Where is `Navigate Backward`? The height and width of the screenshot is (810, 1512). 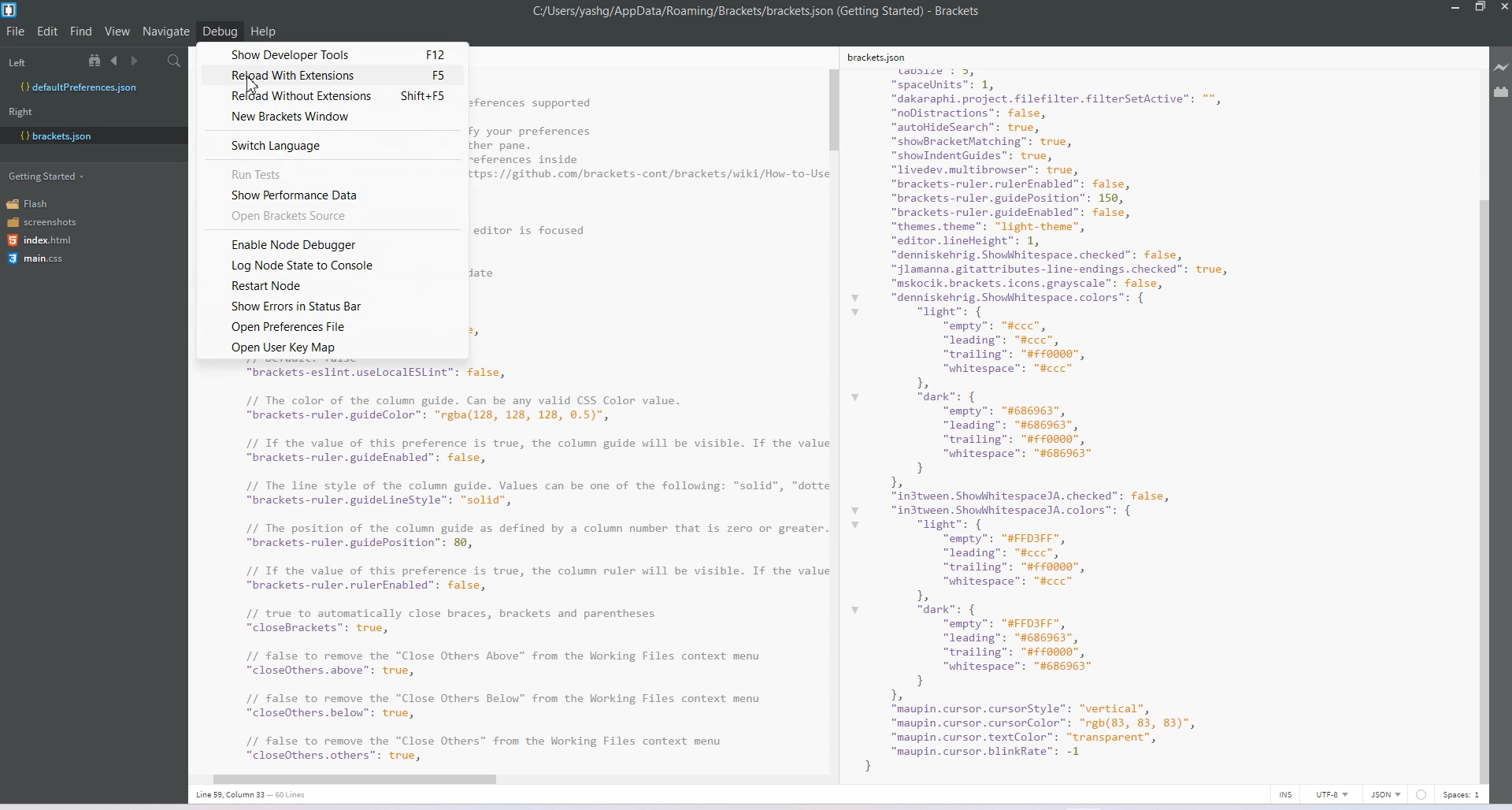 Navigate Backward is located at coordinates (117, 60).